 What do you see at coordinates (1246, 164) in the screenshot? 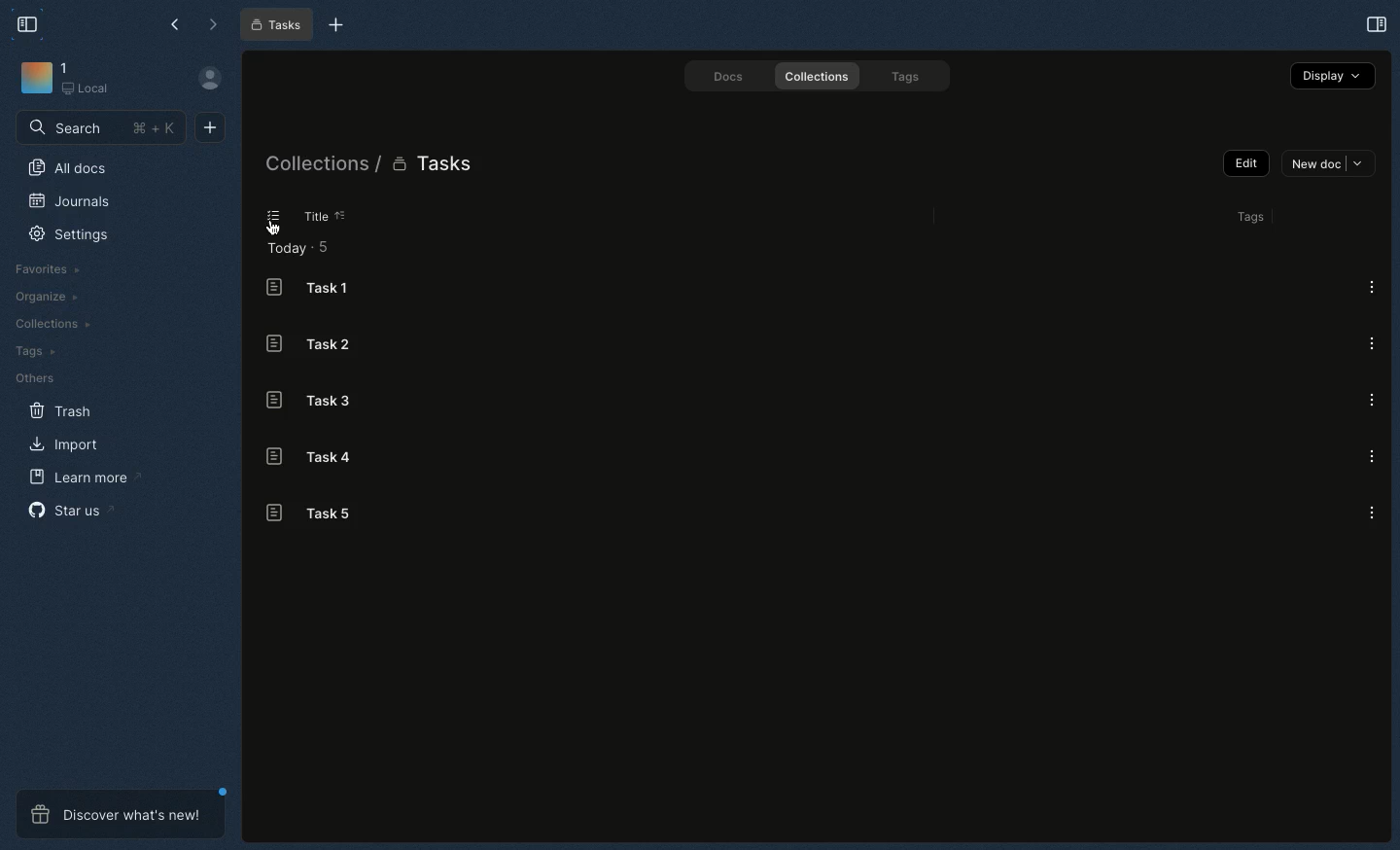
I see `Edit` at bounding box center [1246, 164].